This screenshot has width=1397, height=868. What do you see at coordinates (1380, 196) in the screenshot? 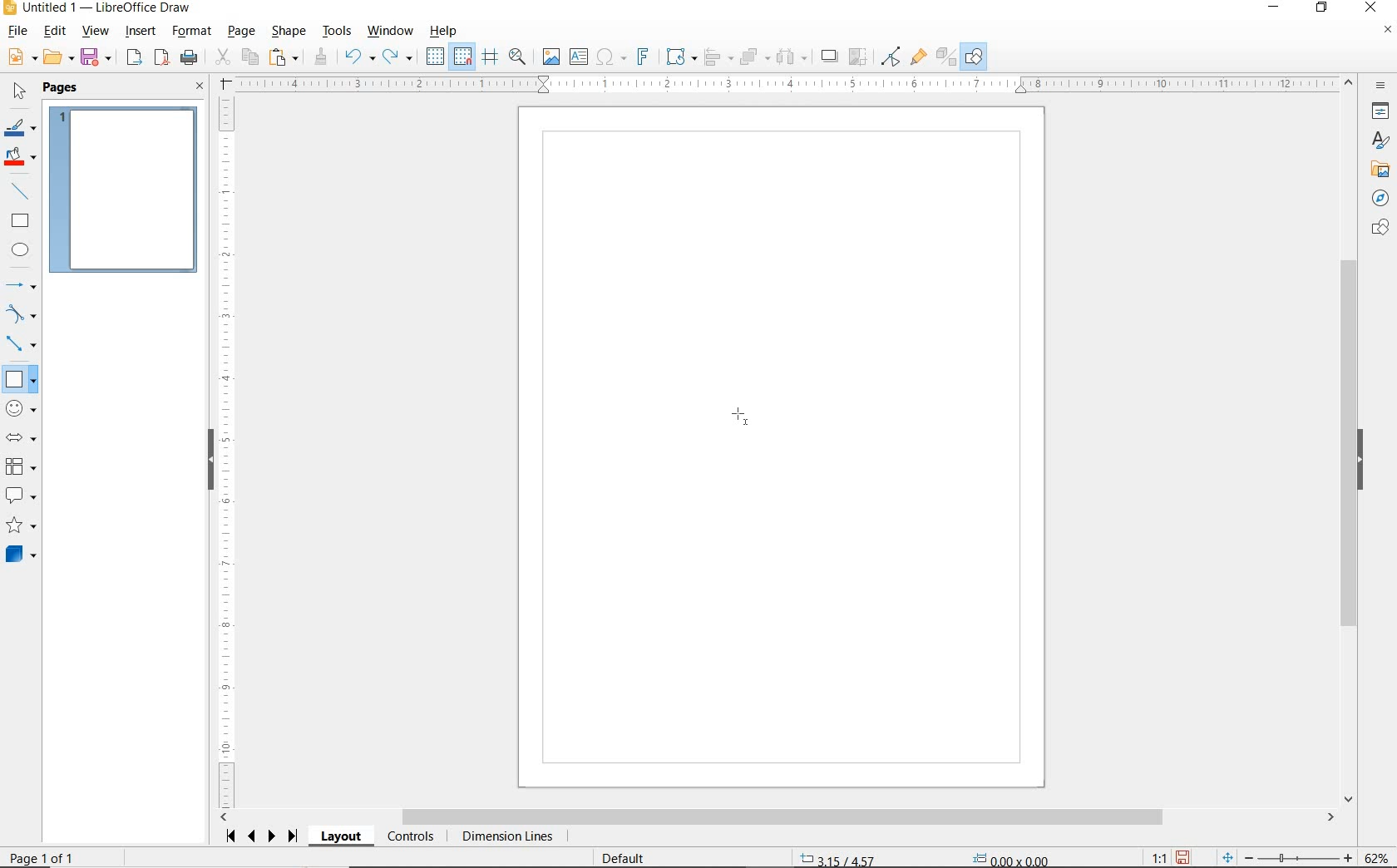
I see `NAVIGATOR` at bounding box center [1380, 196].